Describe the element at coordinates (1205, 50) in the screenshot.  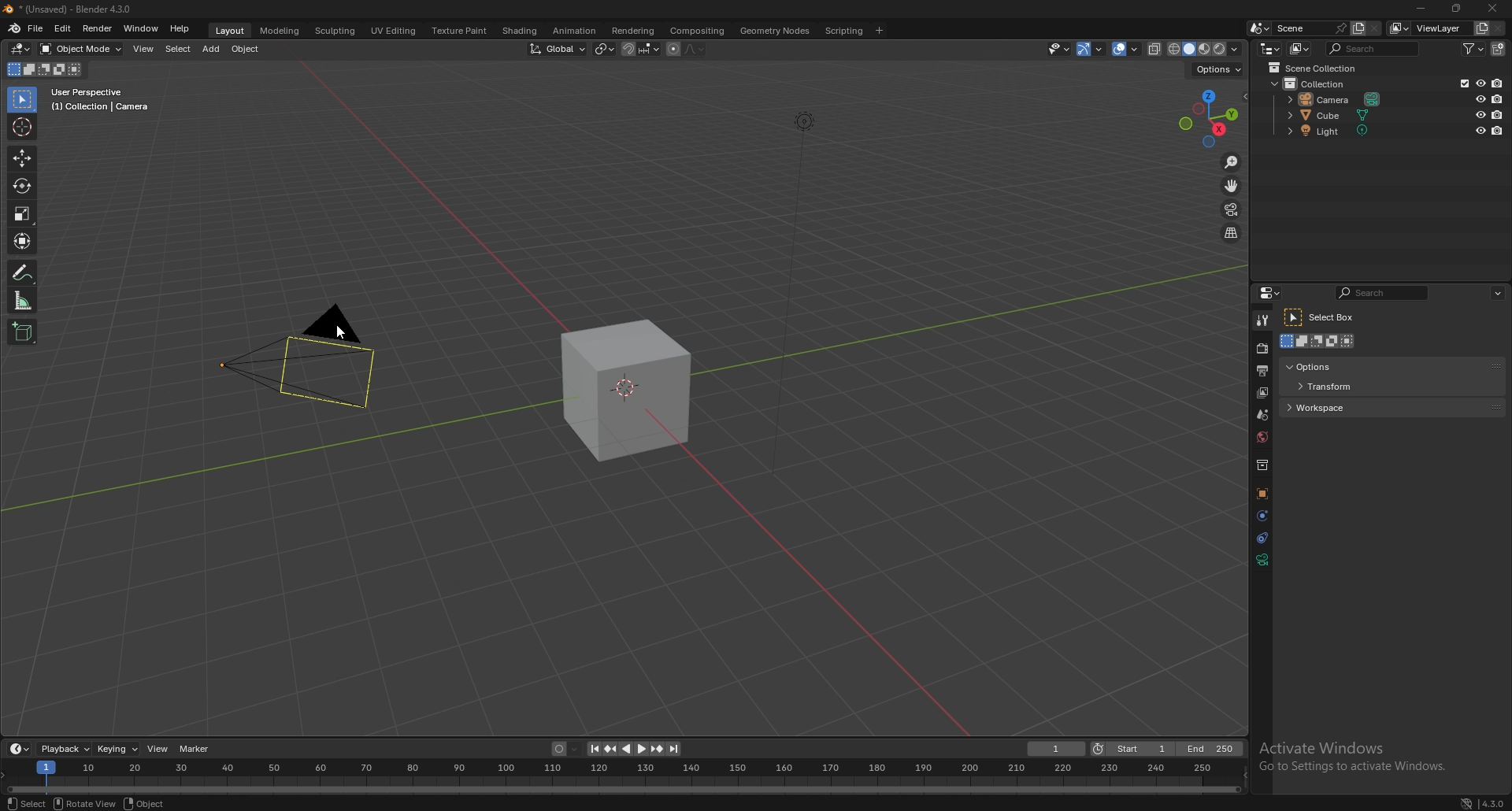
I see `viewport shading` at that location.